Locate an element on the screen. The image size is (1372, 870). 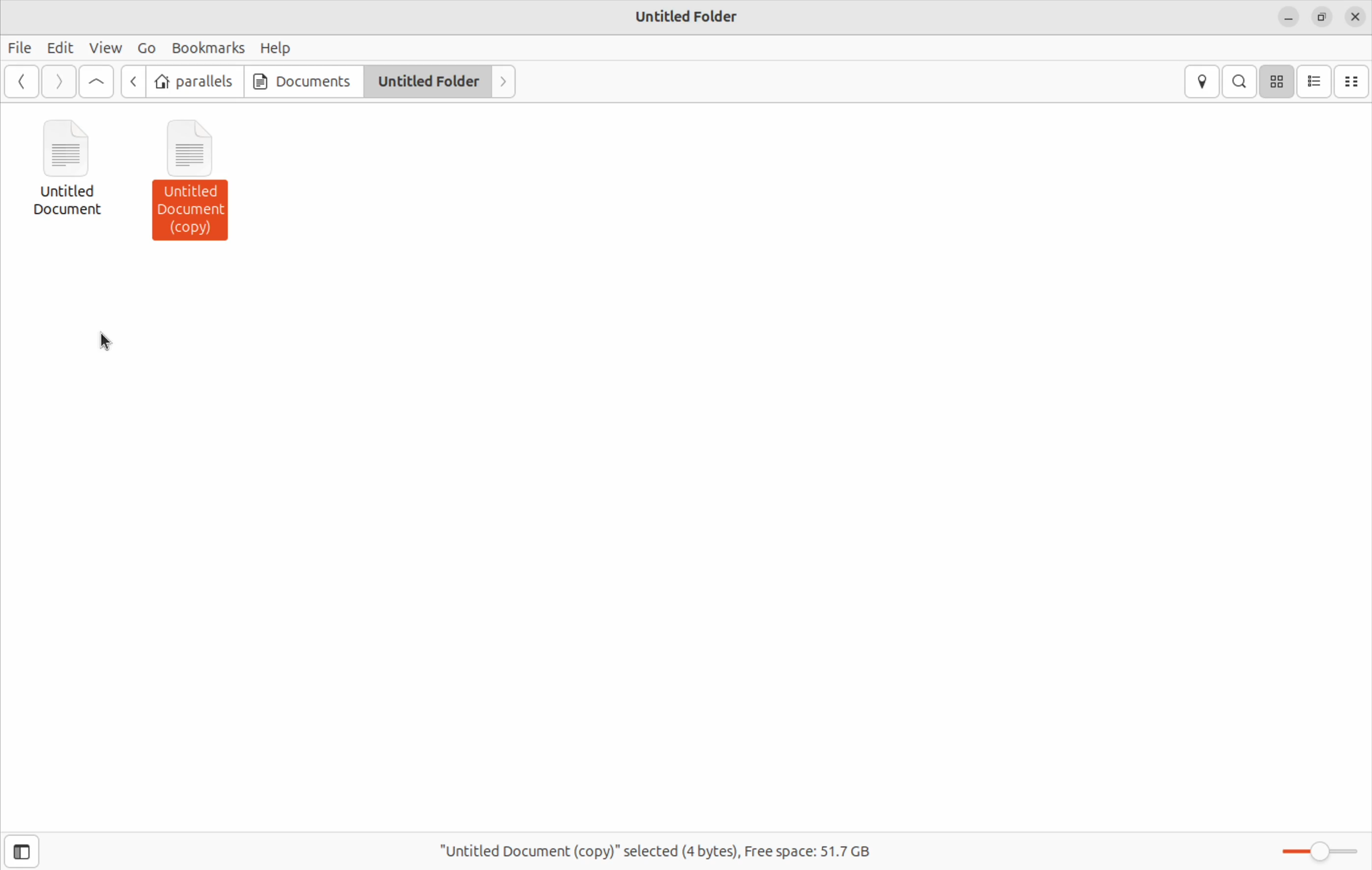
Forward is located at coordinates (59, 82).